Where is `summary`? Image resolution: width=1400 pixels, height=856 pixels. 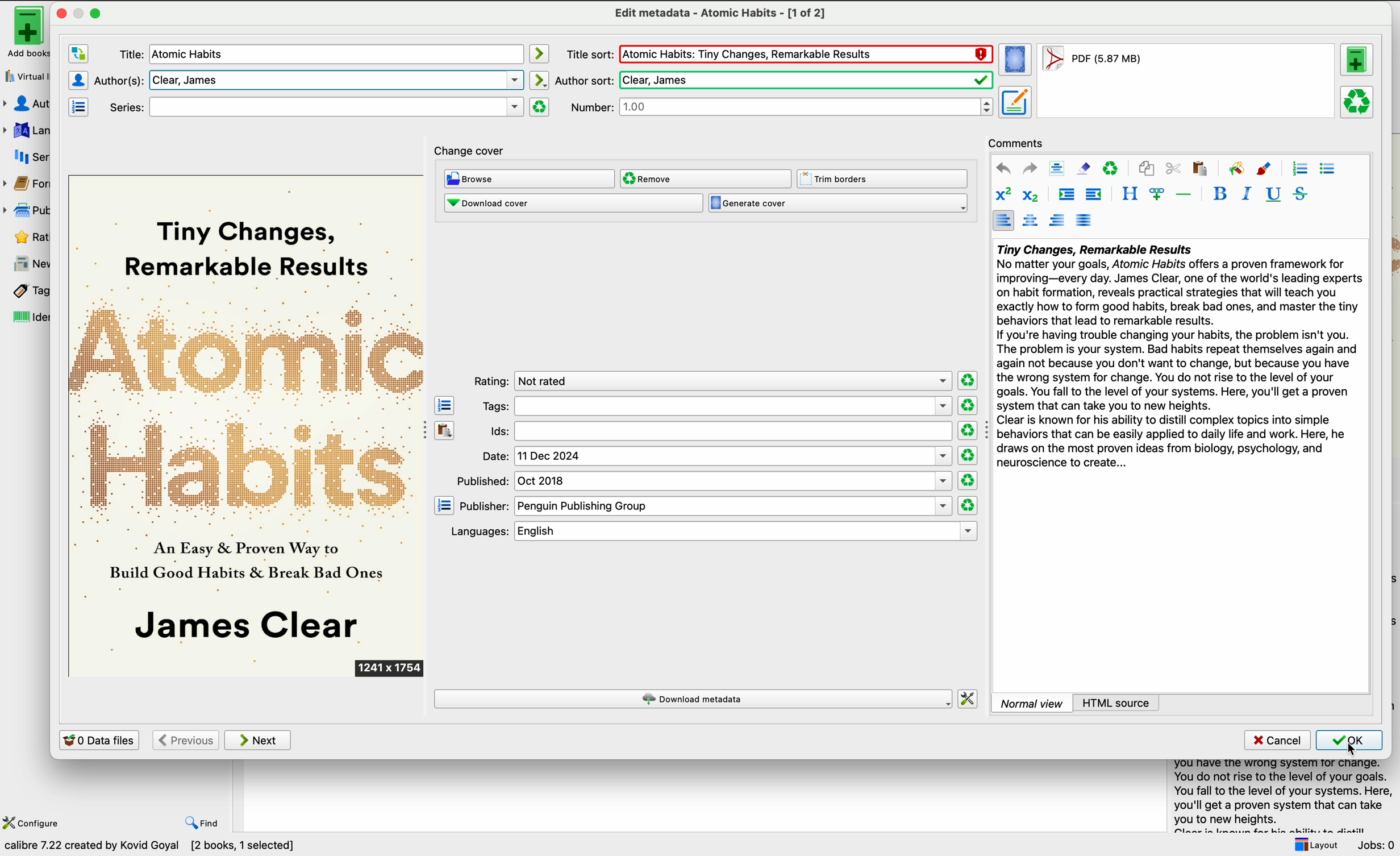
summary is located at coordinates (1178, 359).